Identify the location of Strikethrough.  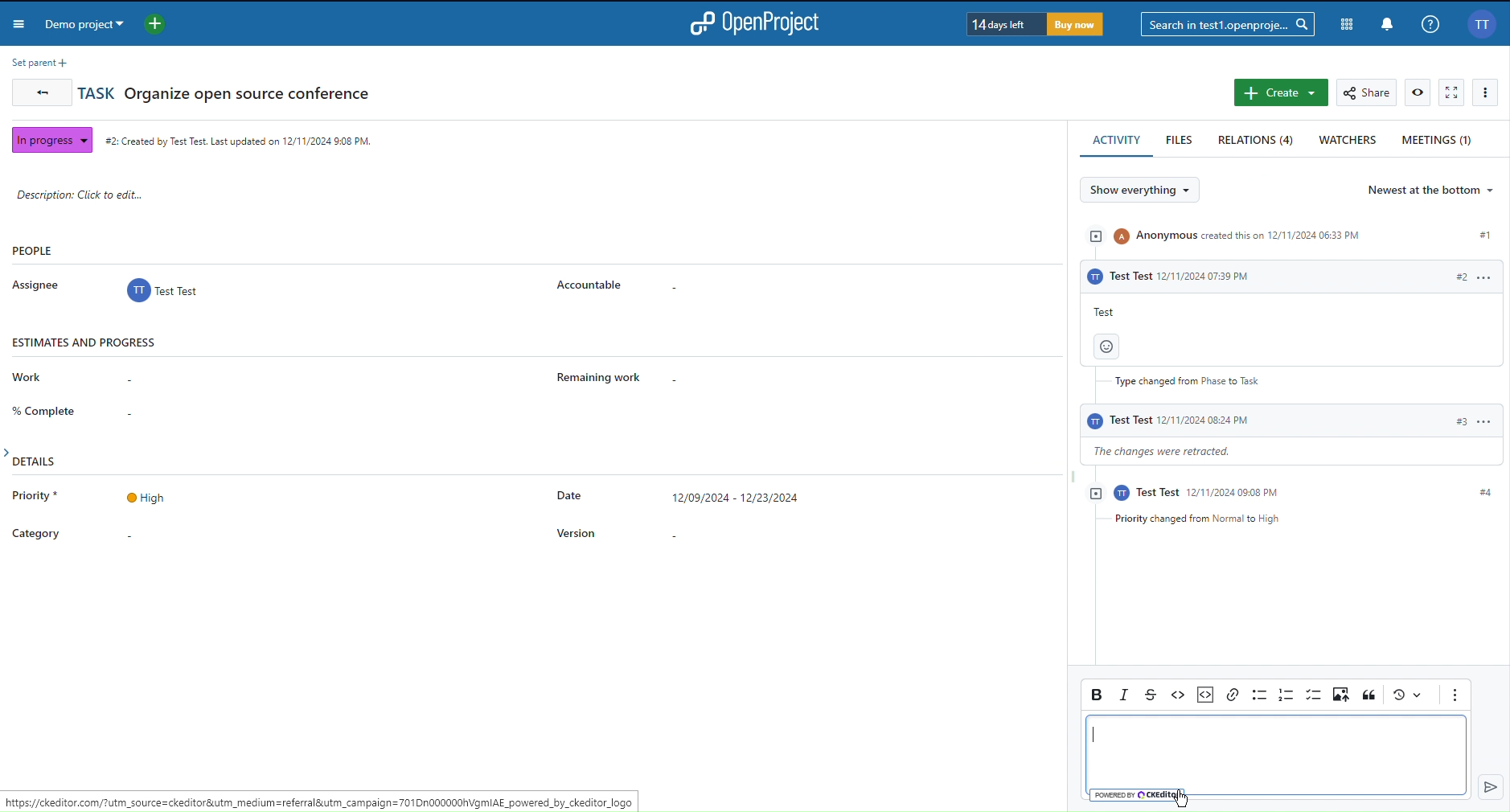
(1154, 694).